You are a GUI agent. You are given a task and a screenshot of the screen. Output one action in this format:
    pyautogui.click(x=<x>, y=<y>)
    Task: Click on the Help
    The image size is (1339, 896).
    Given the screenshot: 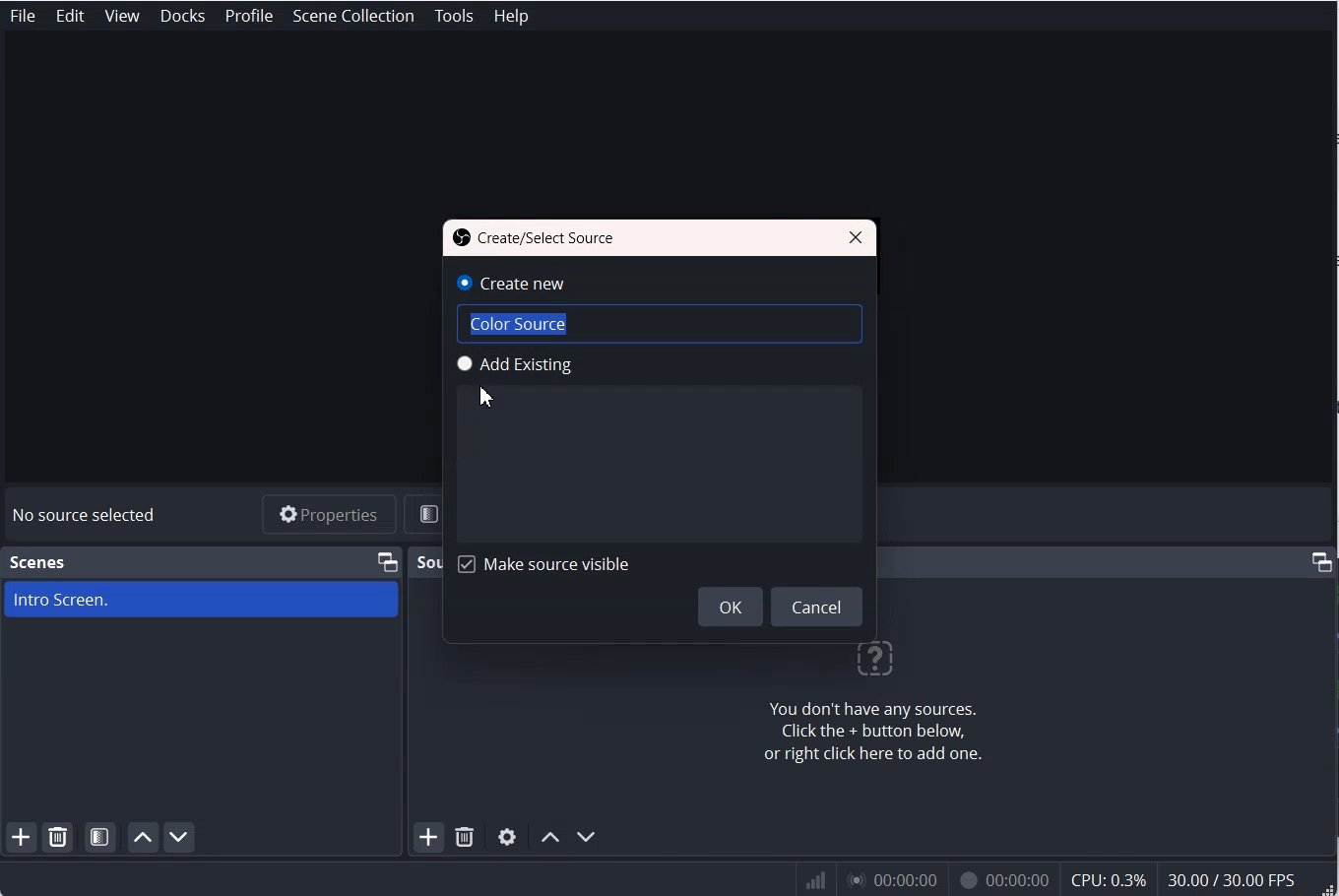 What is the action you would take?
    pyautogui.click(x=510, y=15)
    